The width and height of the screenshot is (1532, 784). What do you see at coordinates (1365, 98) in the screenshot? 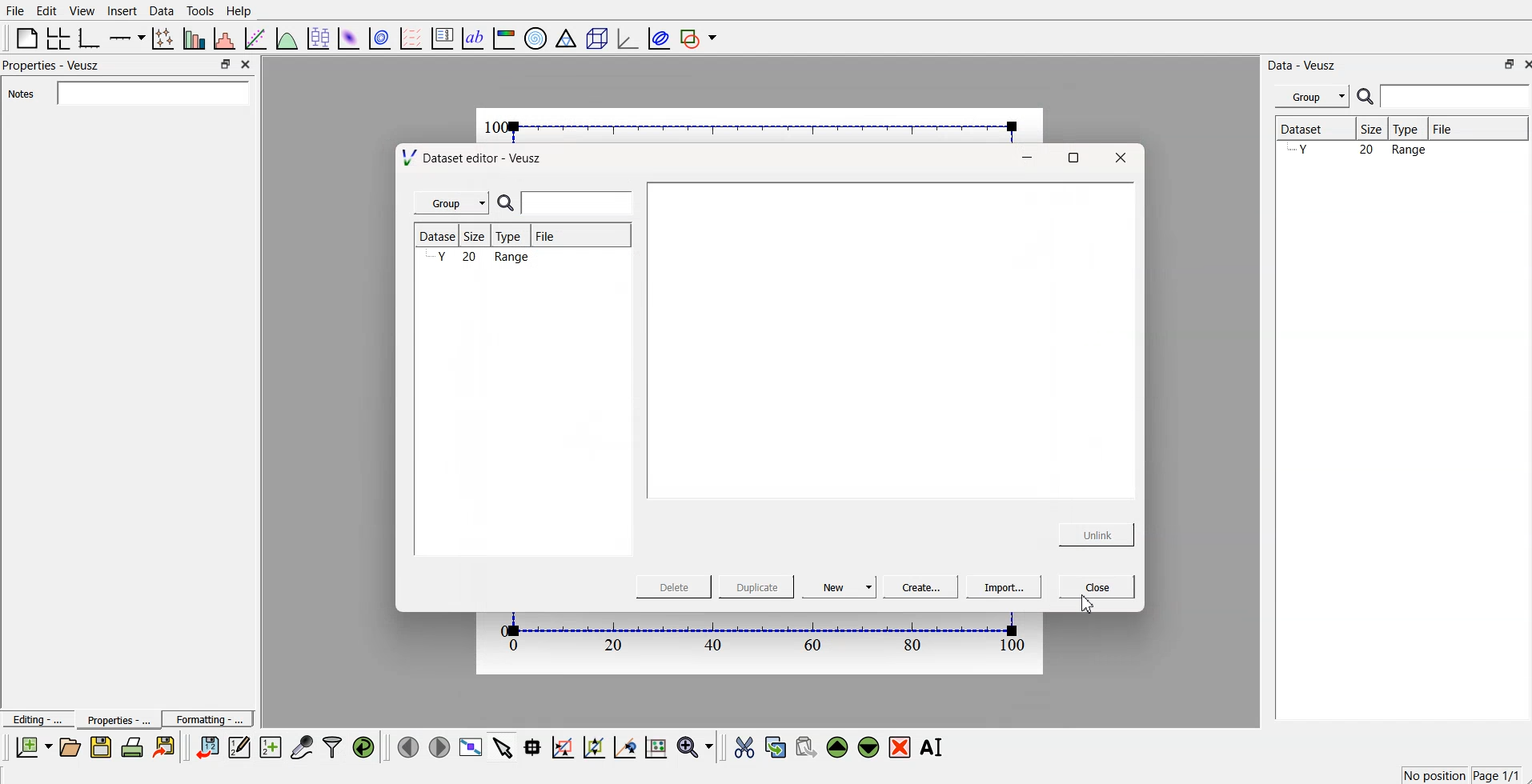
I see `search icon` at bounding box center [1365, 98].